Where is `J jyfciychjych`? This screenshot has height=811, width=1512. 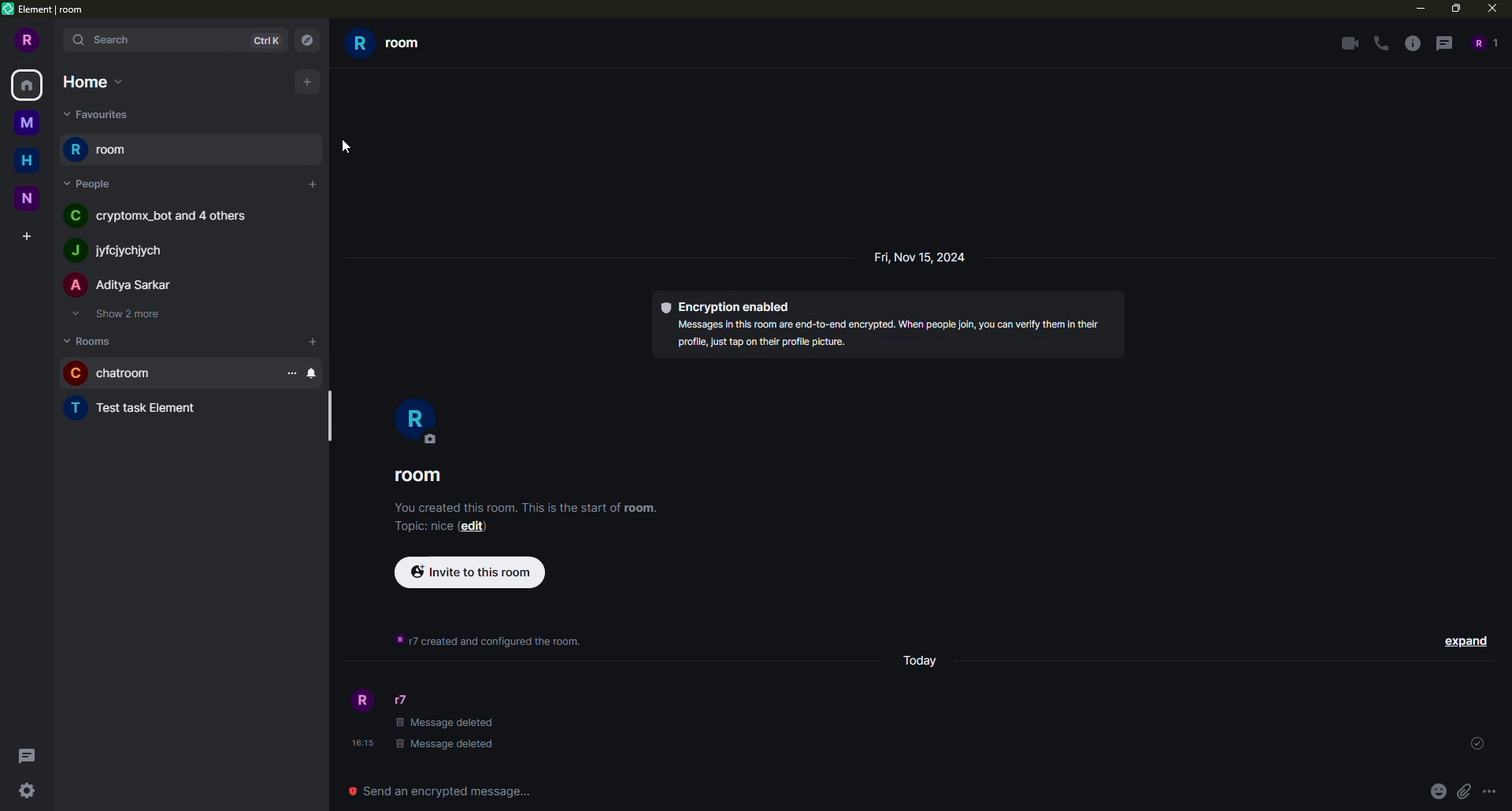 J jyfciychjych is located at coordinates (116, 250).